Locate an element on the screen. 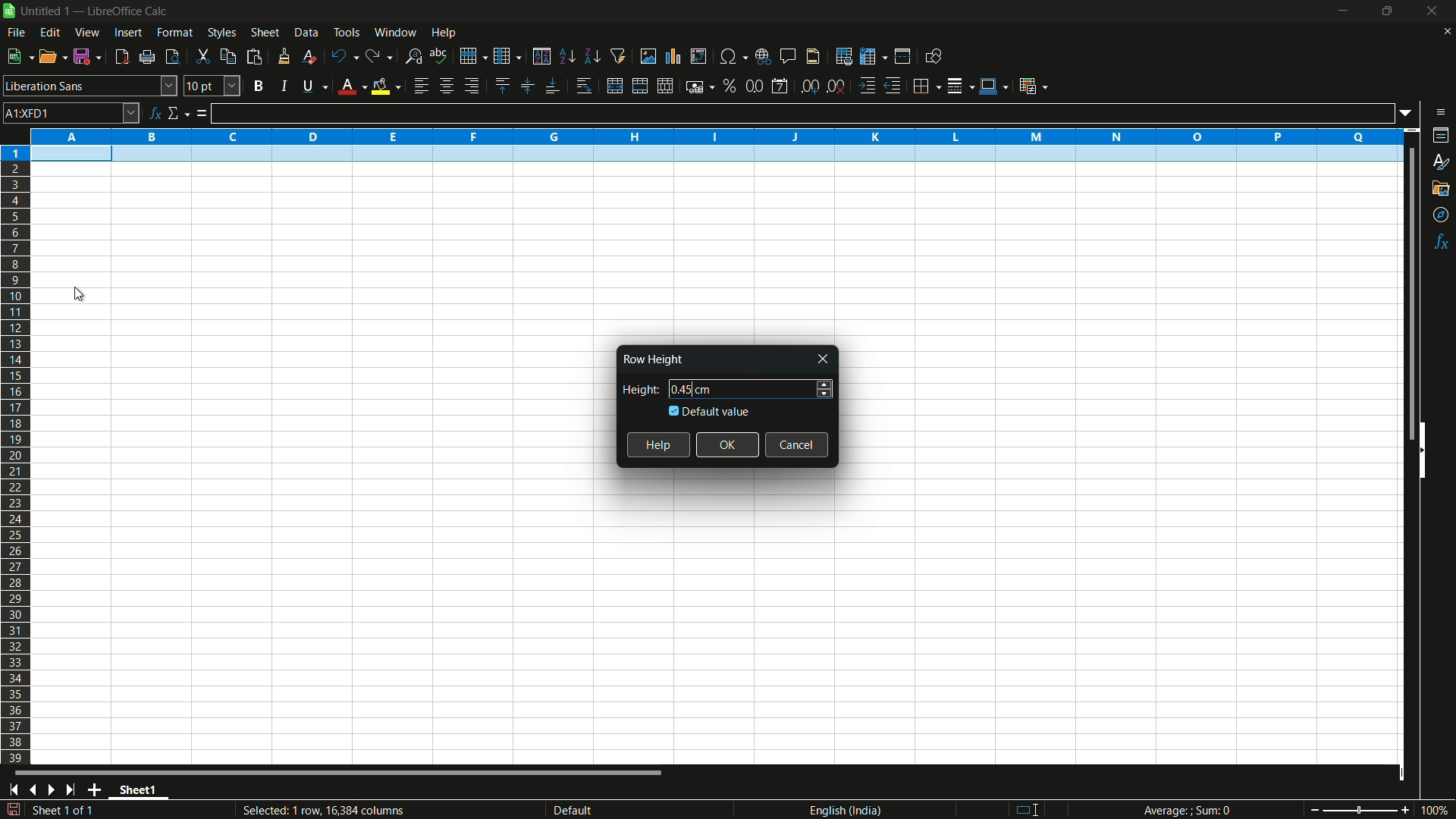 Image resolution: width=1456 pixels, height=819 pixels. scroll to last sheet is located at coordinates (75, 790).